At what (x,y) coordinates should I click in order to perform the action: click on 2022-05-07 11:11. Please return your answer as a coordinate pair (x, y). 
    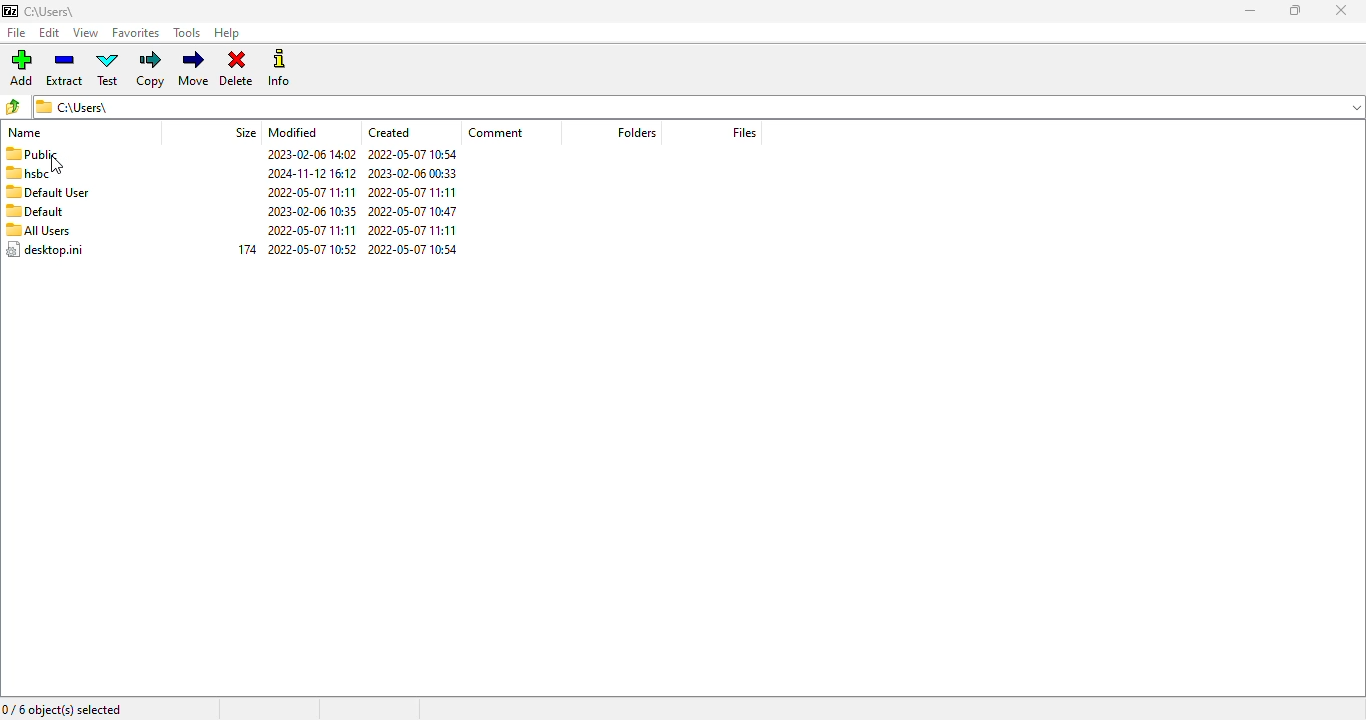
    Looking at the image, I should click on (305, 230).